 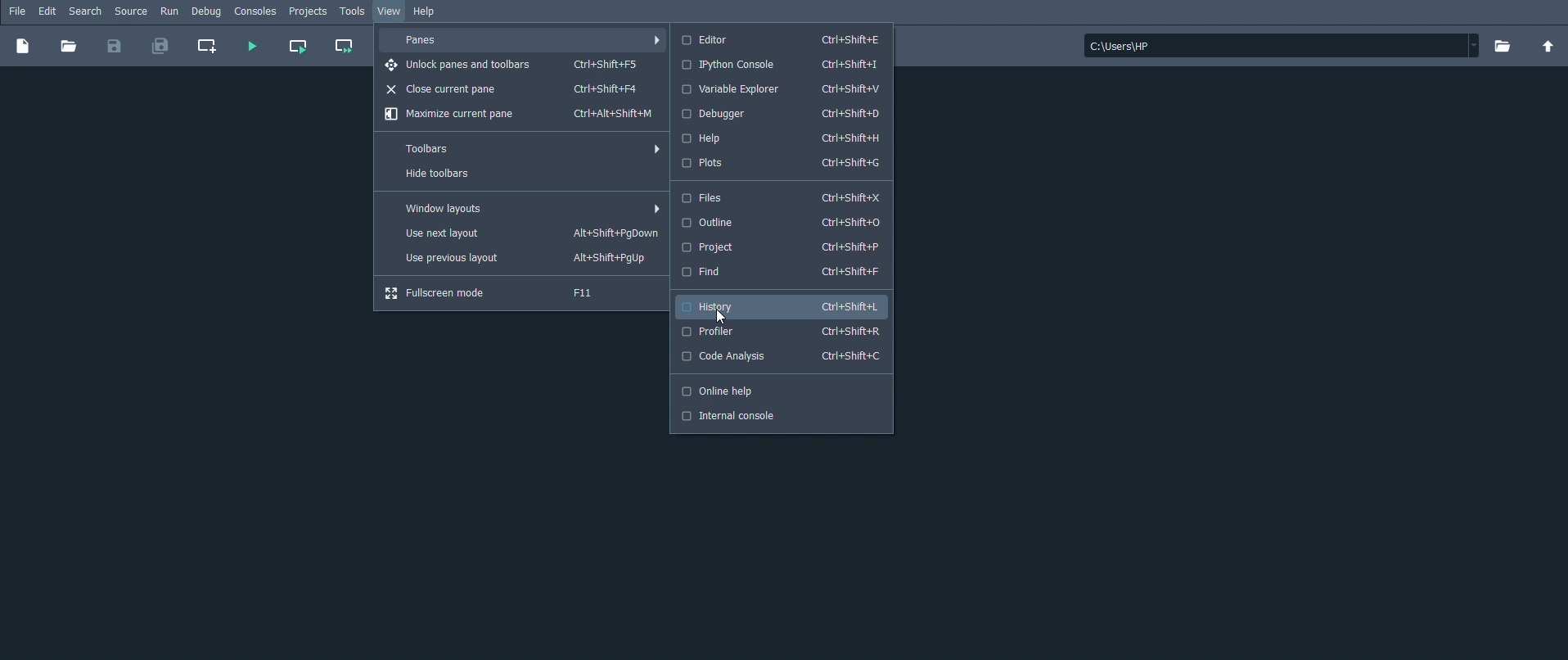 What do you see at coordinates (428, 12) in the screenshot?
I see `Help` at bounding box center [428, 12].